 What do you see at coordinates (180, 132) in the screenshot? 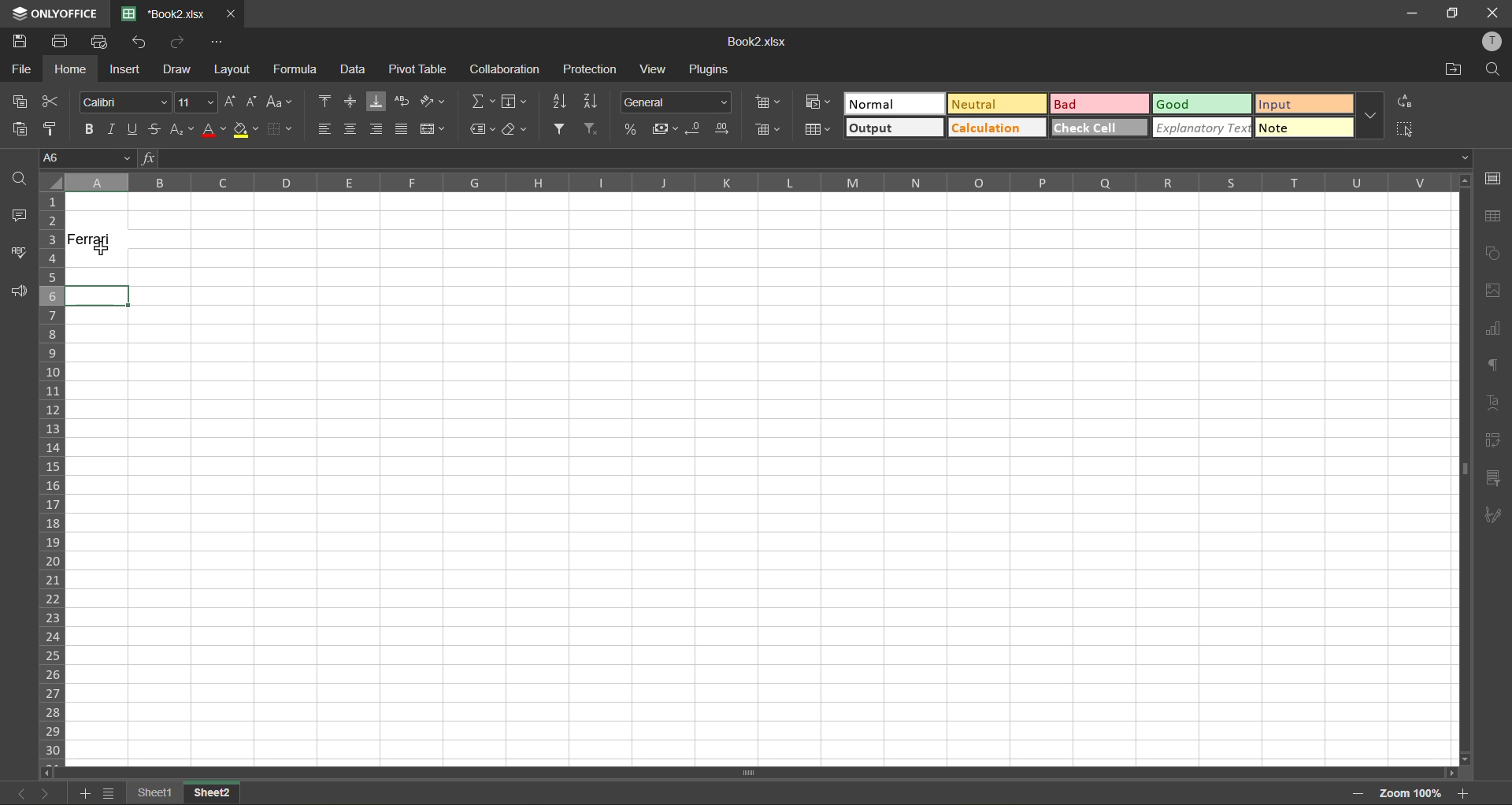
I see `sub/superscript` at bounding box center [180, 132].